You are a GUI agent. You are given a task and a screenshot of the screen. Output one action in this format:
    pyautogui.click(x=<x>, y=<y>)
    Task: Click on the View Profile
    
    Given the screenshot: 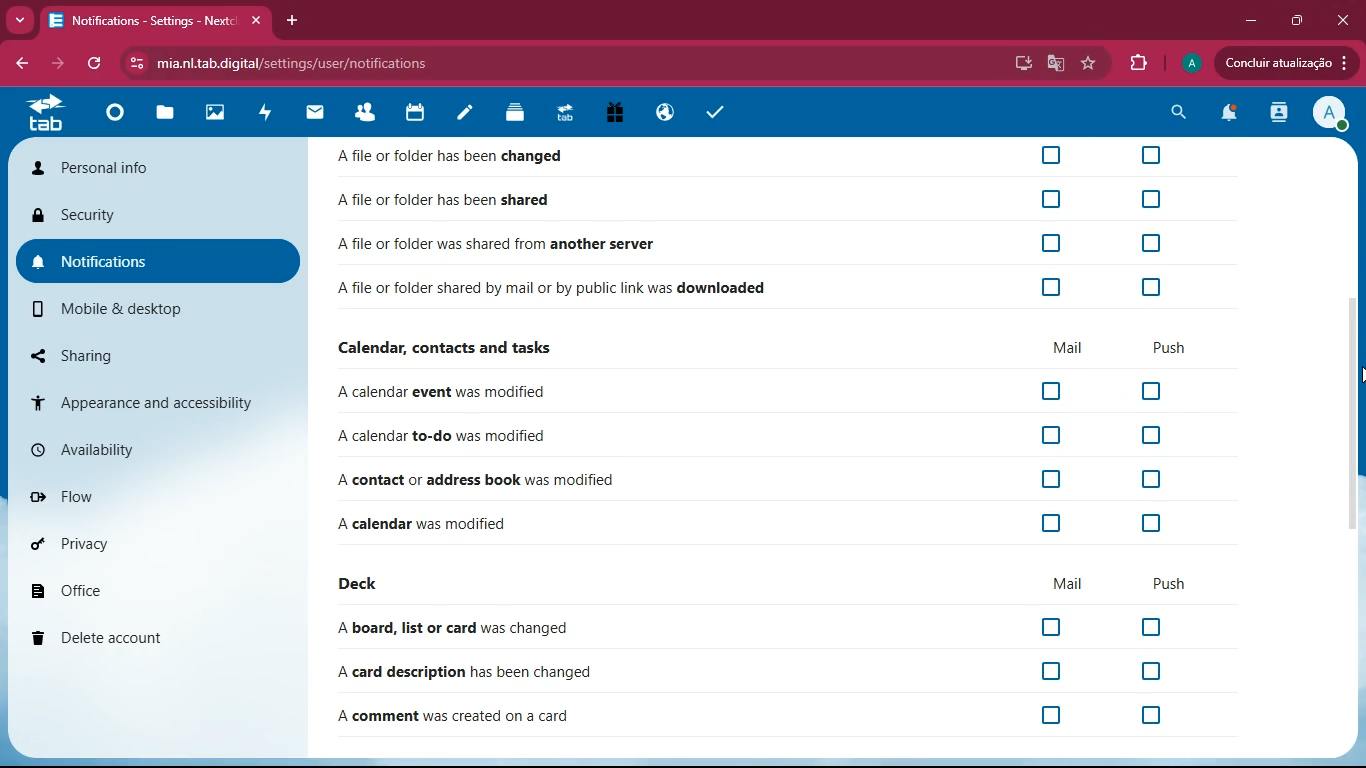 What is the action you would take?
    pyautogui.click(x=1330, y=114)
    